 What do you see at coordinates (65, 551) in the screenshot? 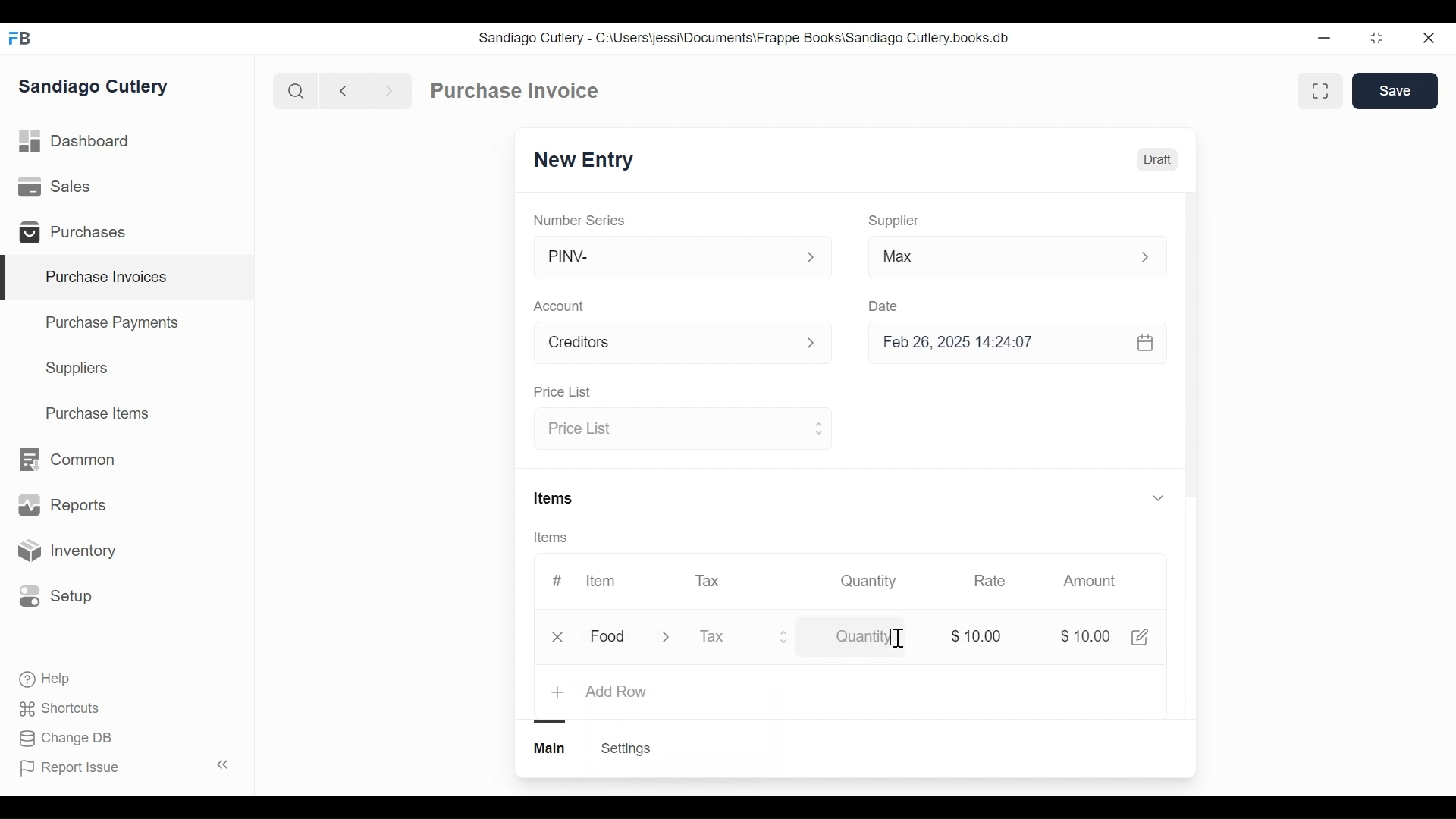
I see `Inventory` at bounding box center [65, 551].